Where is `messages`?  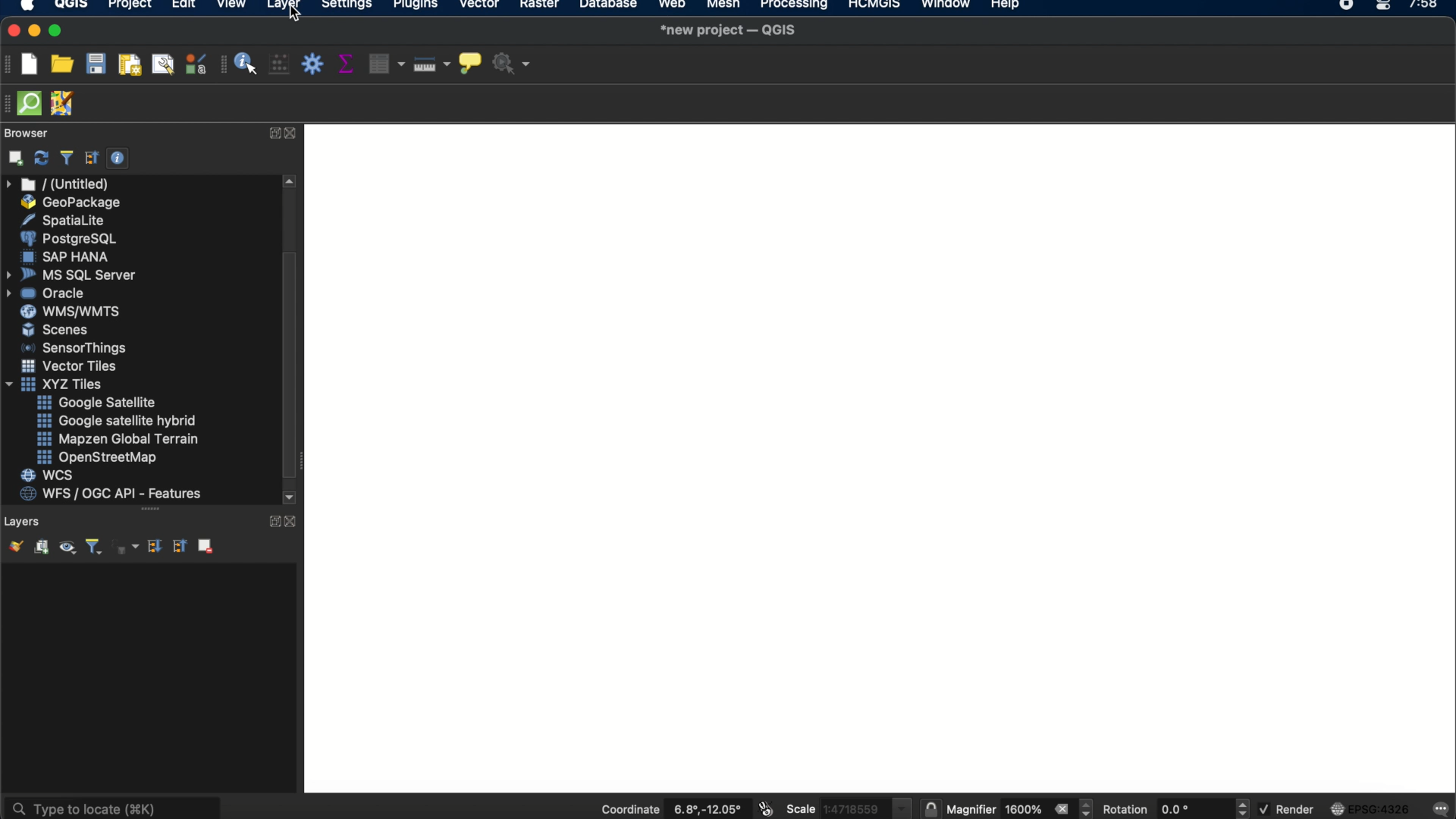
messages is located at coordinates (1439, 810).